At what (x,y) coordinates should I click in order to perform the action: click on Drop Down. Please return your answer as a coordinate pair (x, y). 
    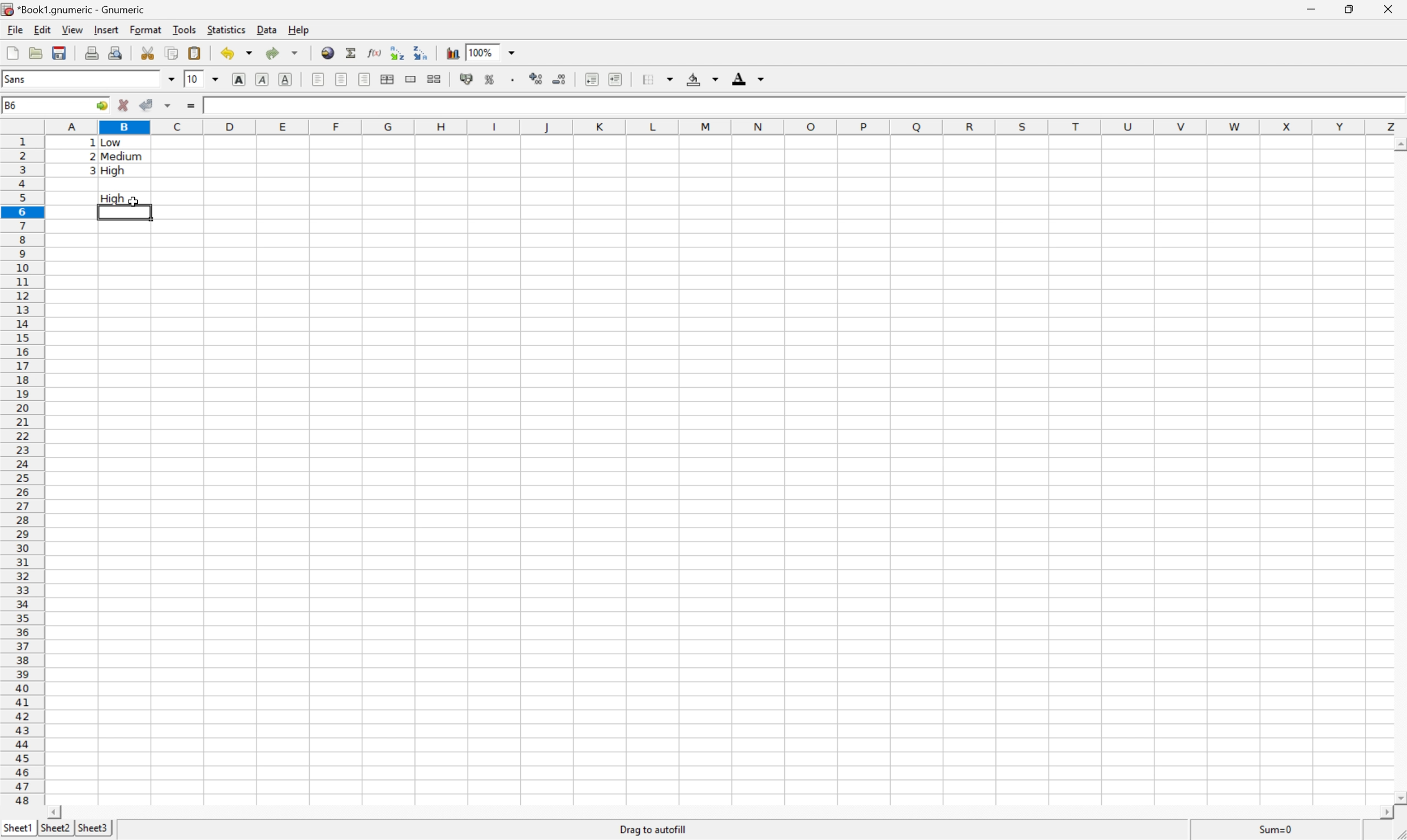
    Looking at the image, I should click on (215, 80).